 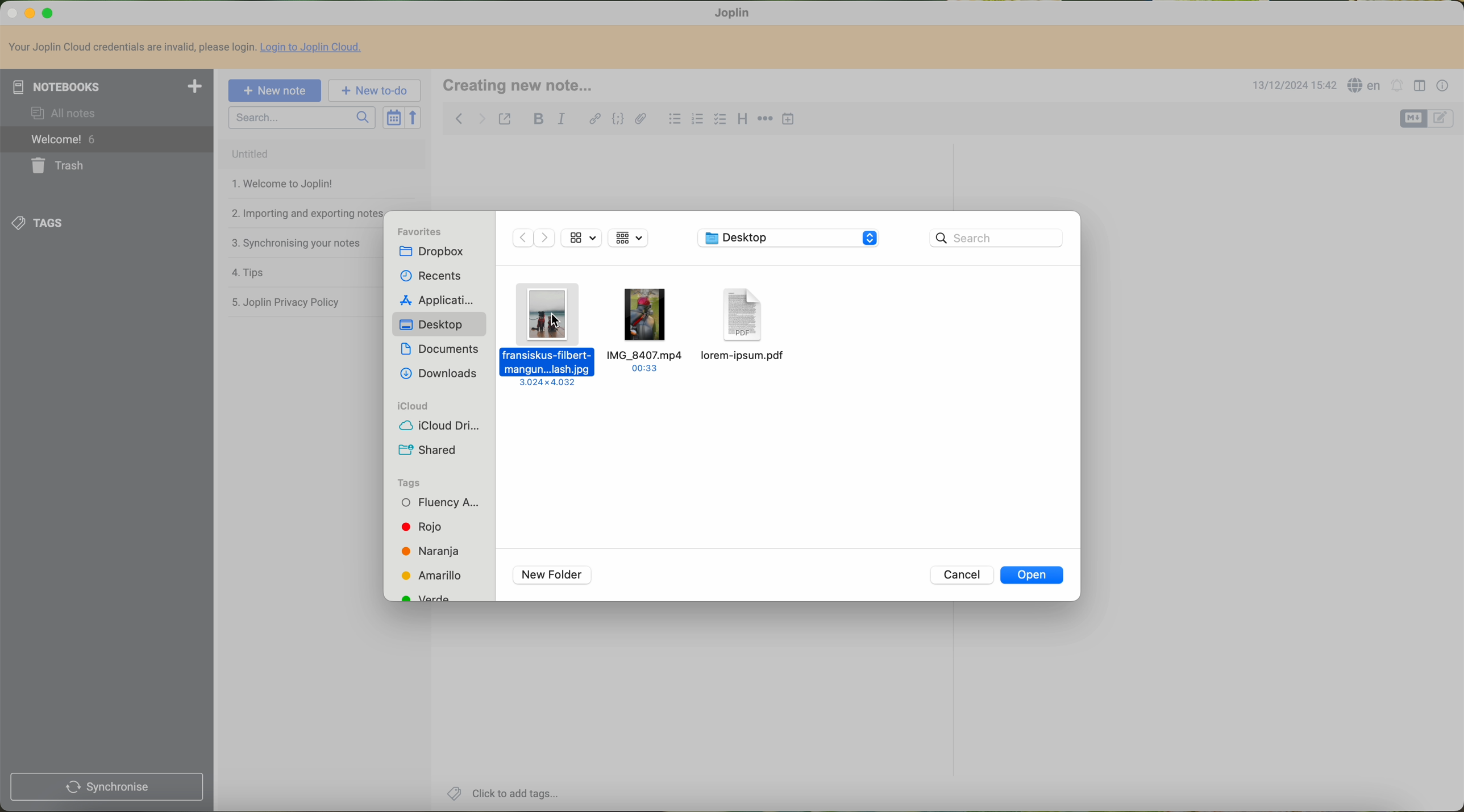 I want to click on trash, so click(x=56, y=166).